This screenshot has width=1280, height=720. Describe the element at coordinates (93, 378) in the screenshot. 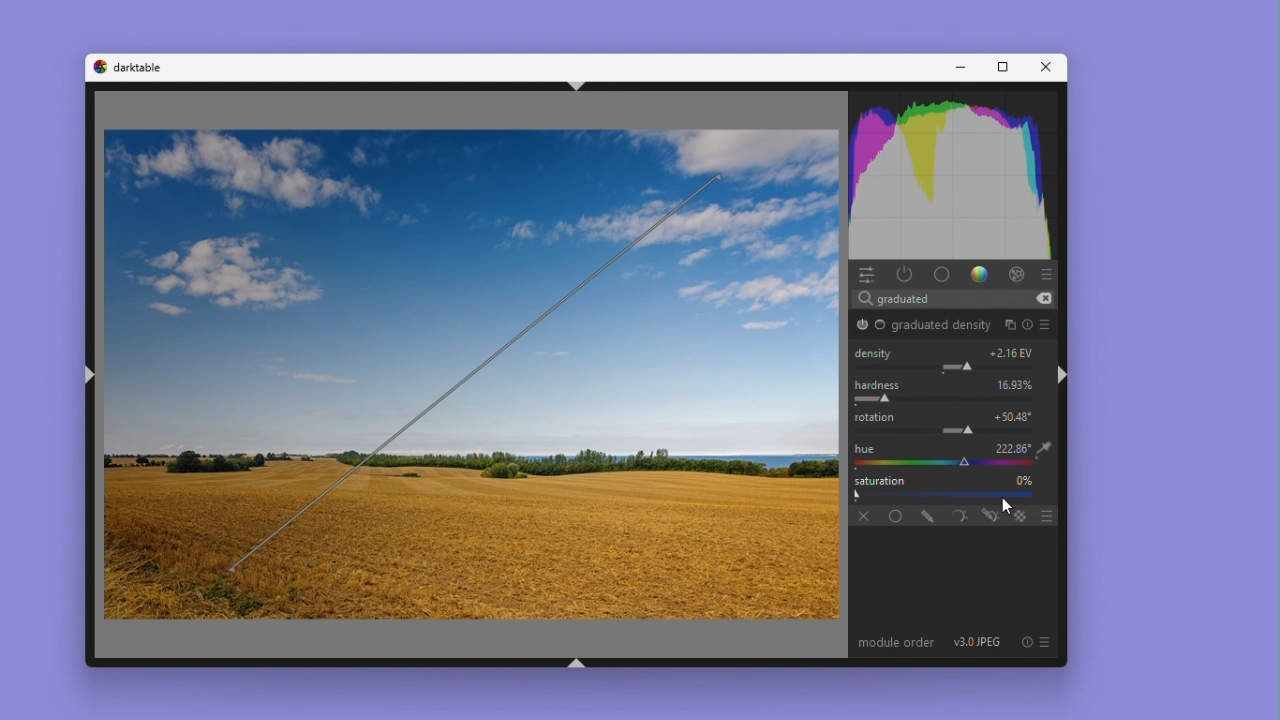

I see `shift+ctrl+l` at that location.